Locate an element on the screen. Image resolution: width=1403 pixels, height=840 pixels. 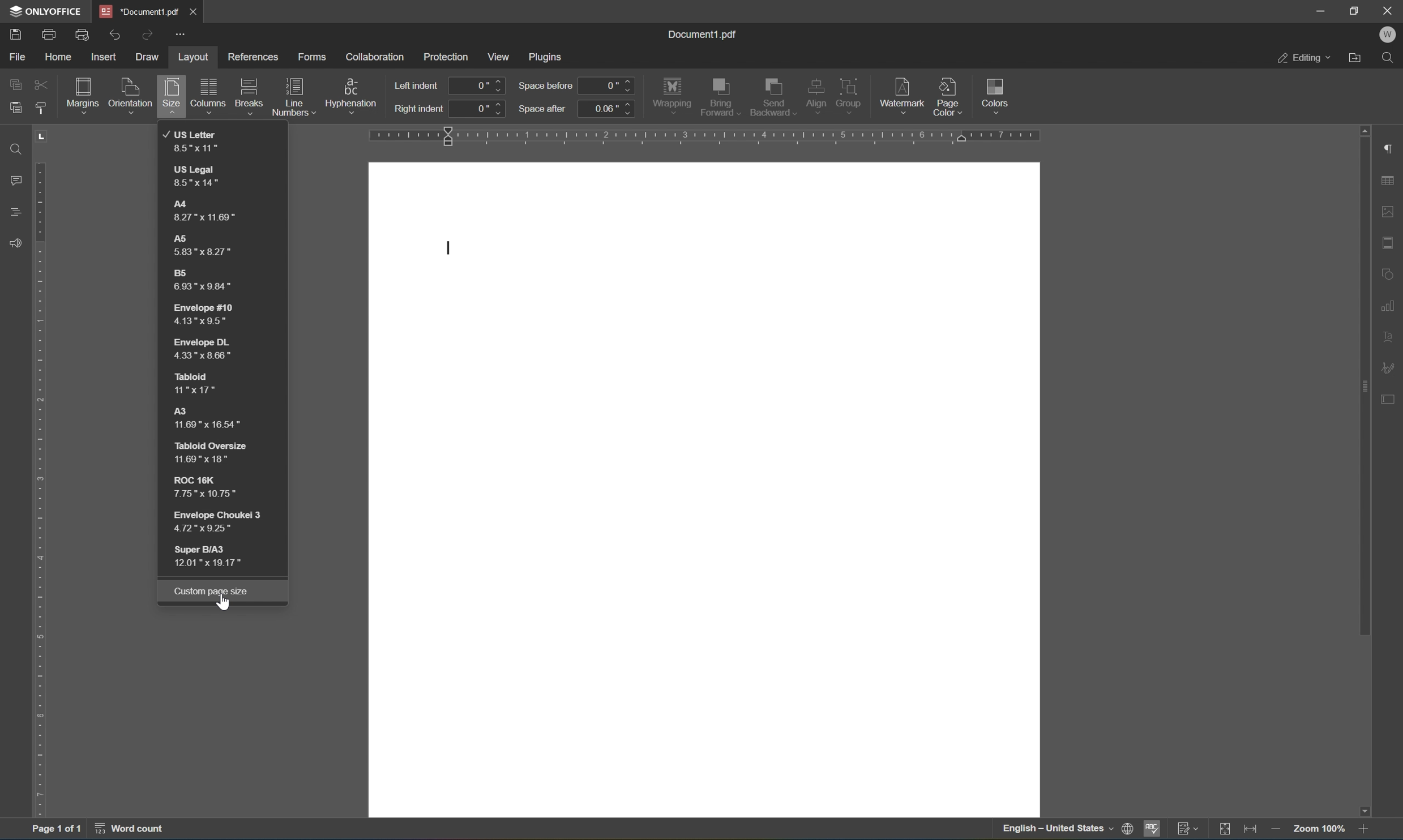
0 is located at coordinates (609, 85).